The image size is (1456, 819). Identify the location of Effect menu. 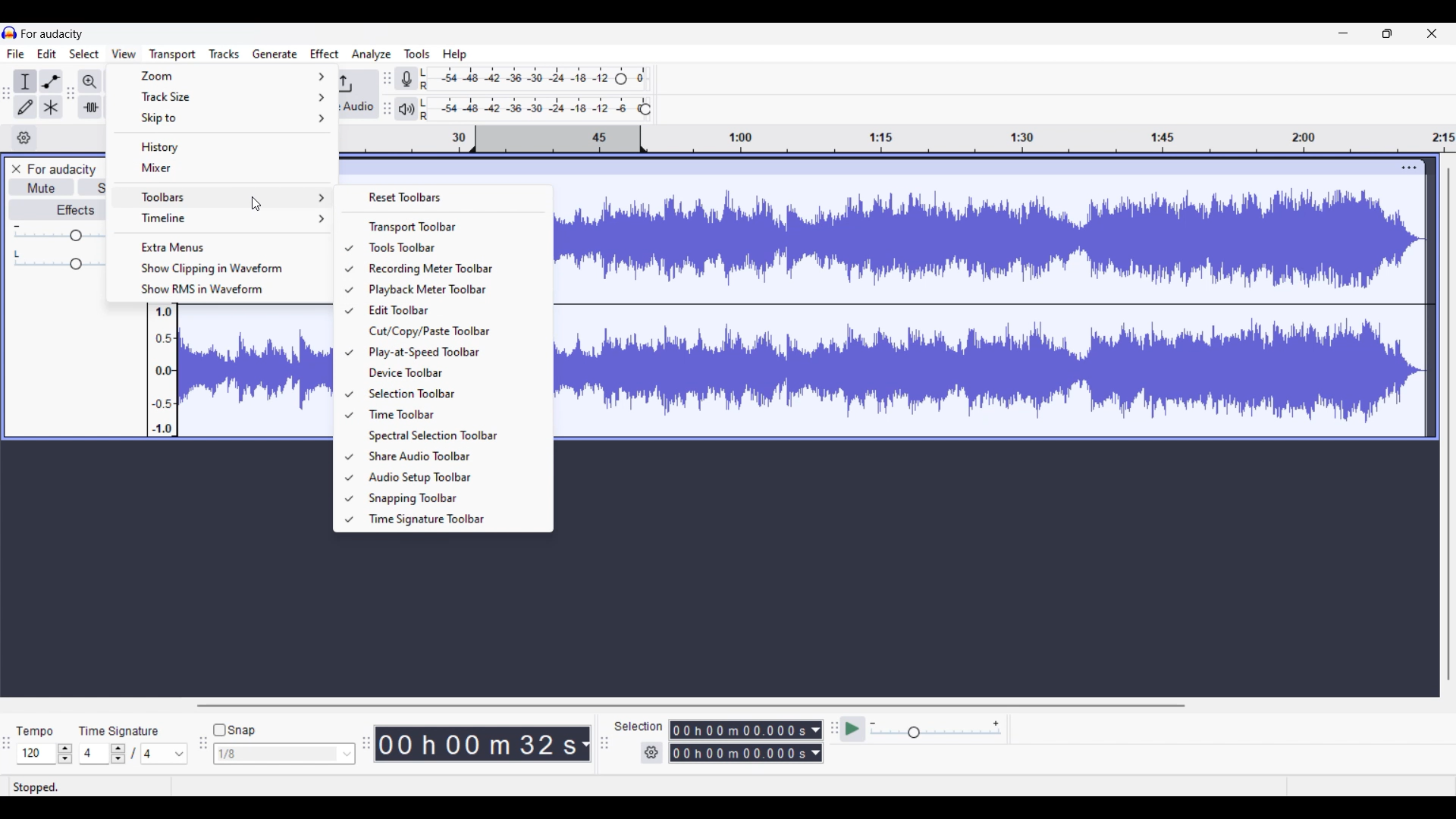
(325, 54).